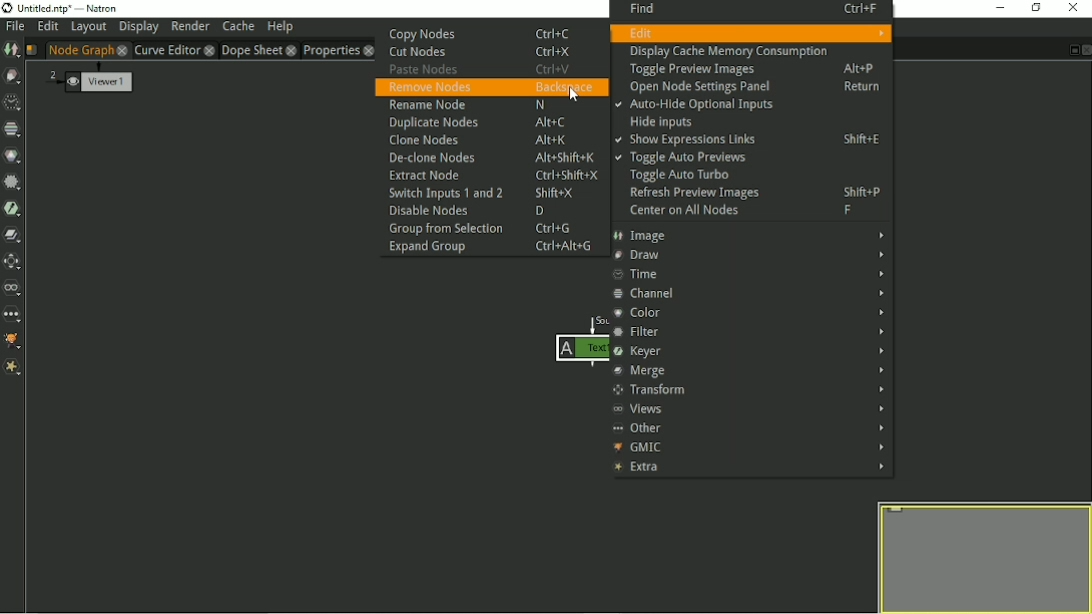 Image resolution: width=1092 pixels, height=614 pixels. I want to click on Channel, so click(748, 294).